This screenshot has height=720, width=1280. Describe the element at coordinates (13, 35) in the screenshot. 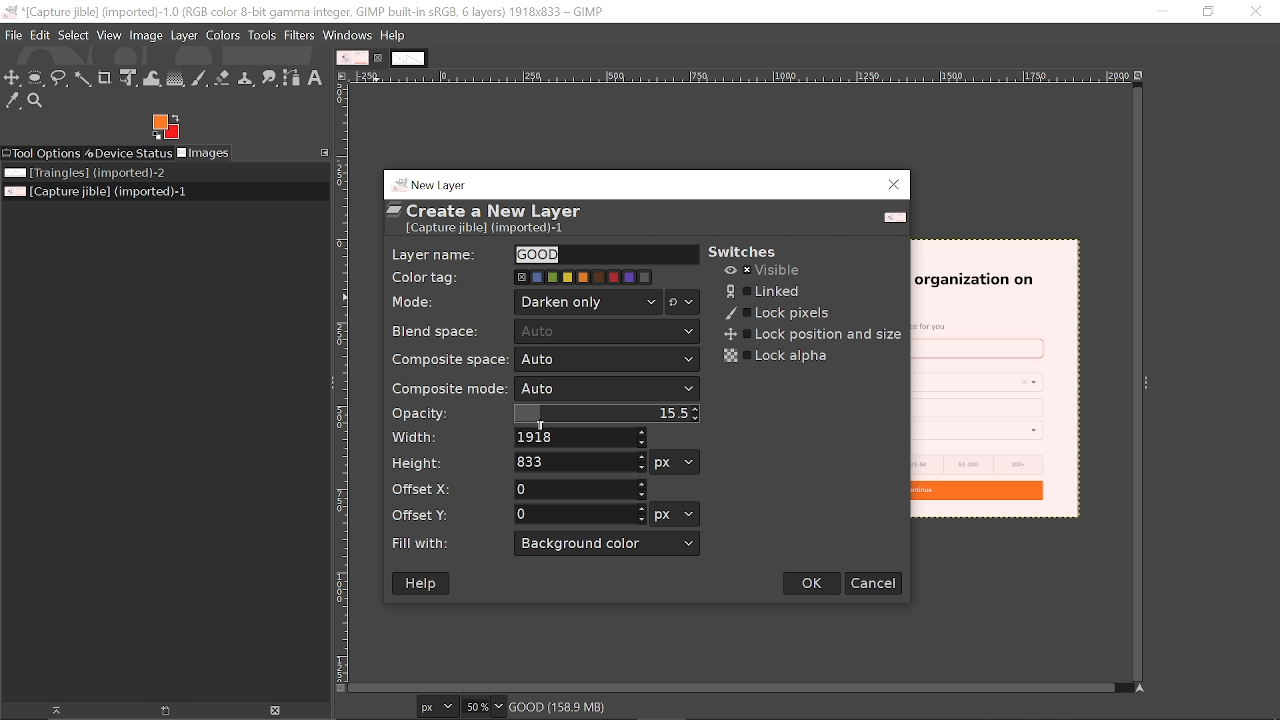

I see `File` at that location.